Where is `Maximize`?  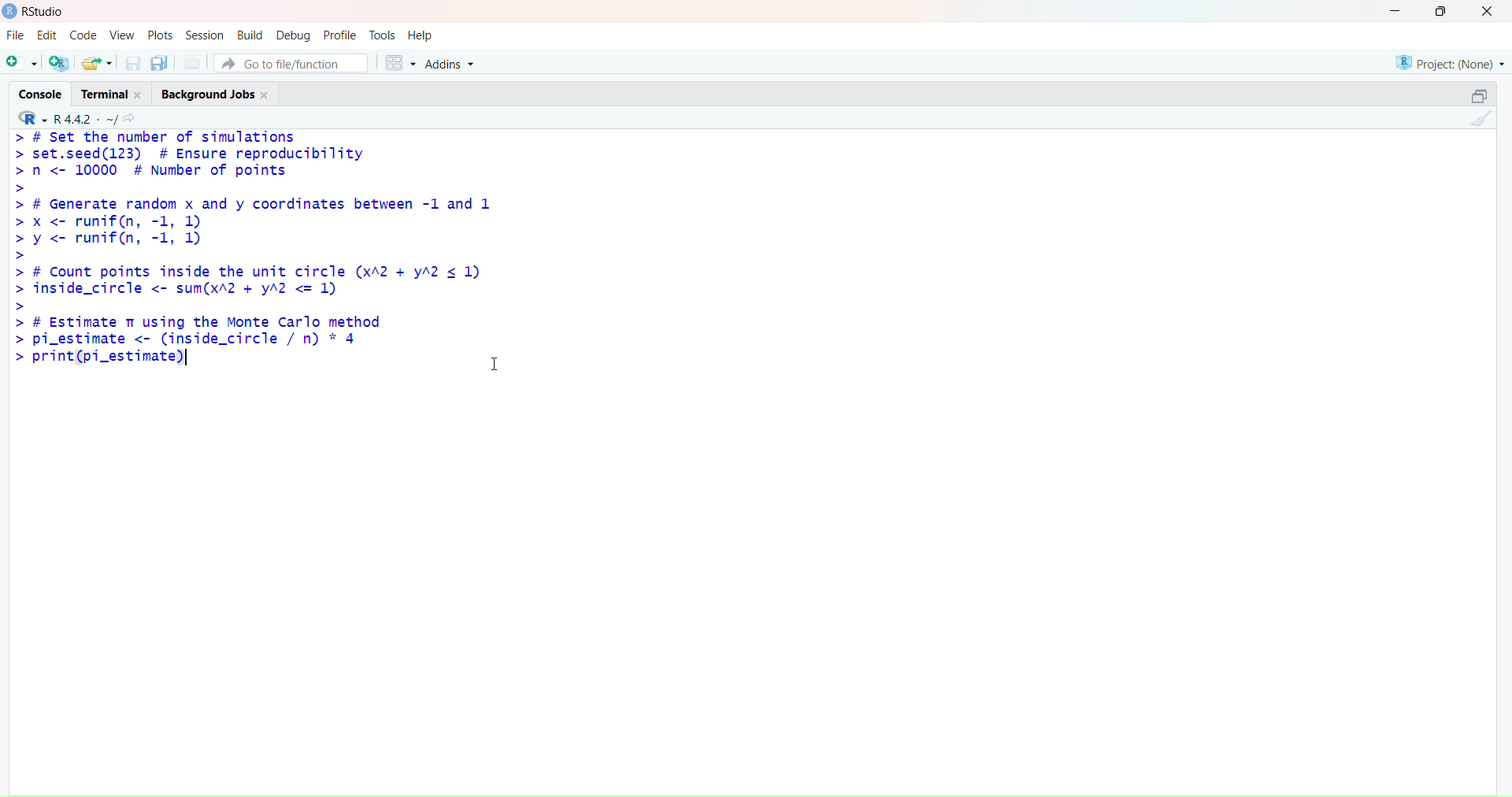 Maximize is located at coordinates (1481, 95).